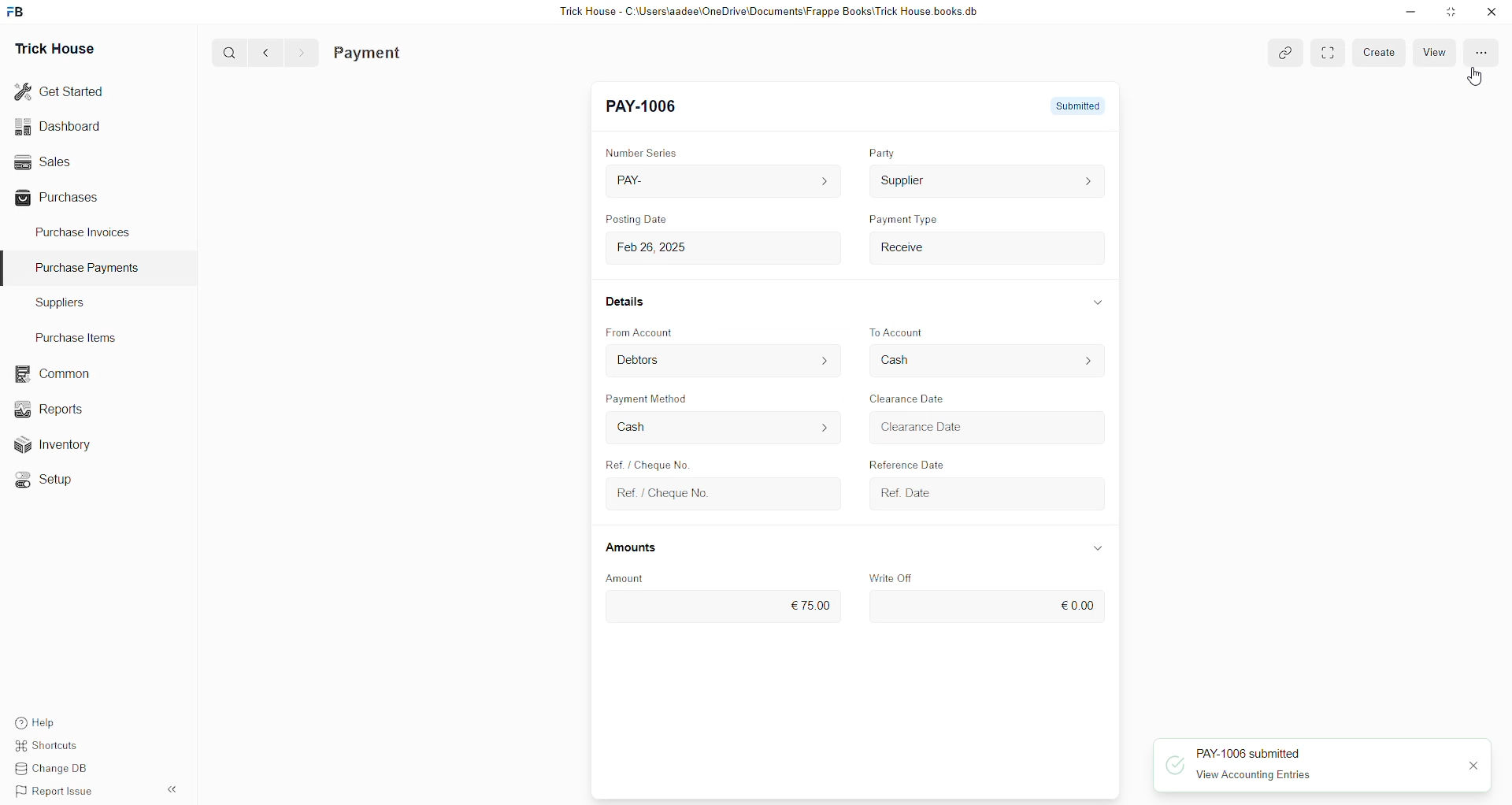 This screenshot has width=1512, height=805. I want to click on Cash, so click(719, 429).